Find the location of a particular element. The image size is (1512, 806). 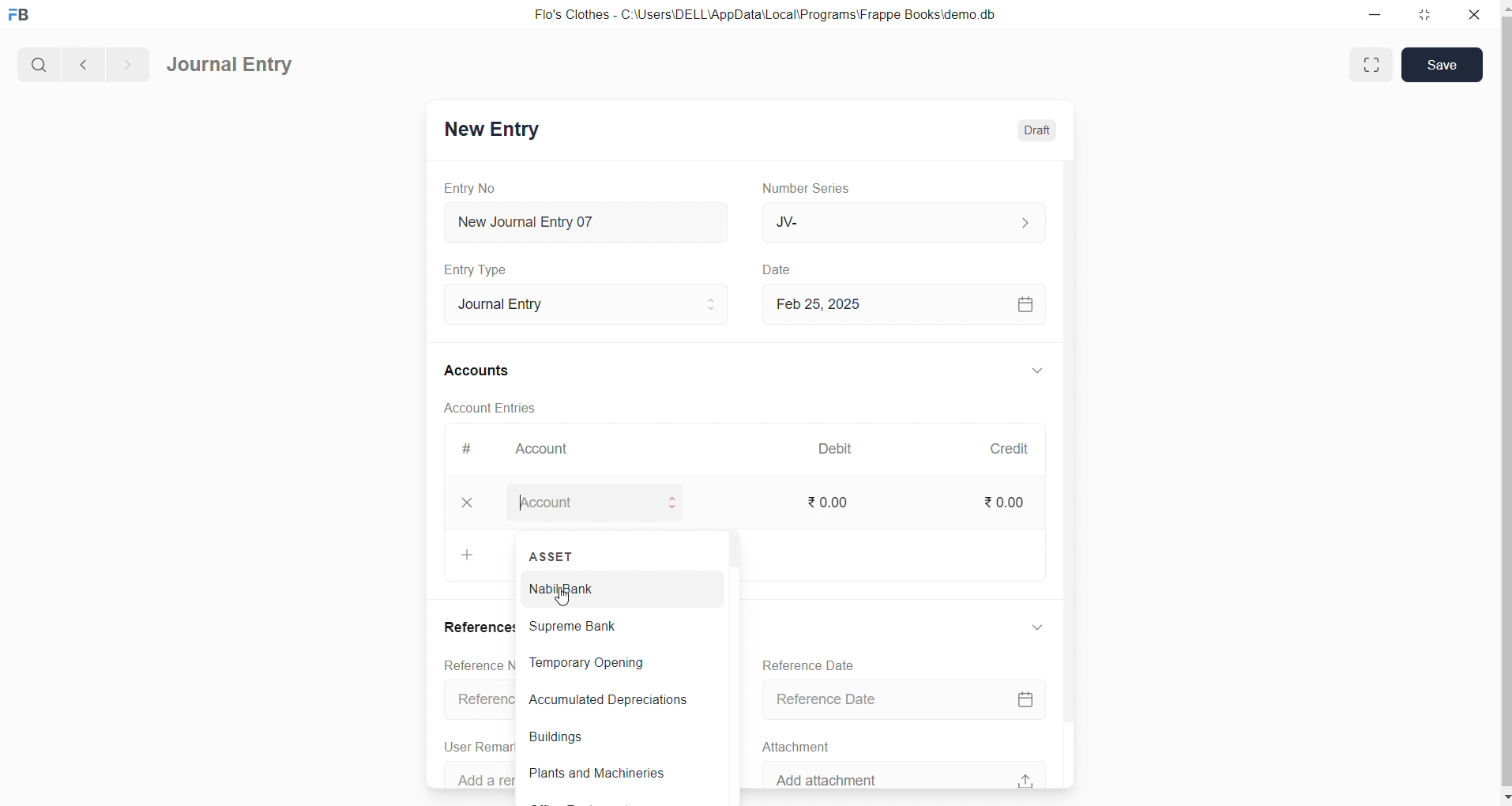

Journal Entry is located at coordinates (582, 302).